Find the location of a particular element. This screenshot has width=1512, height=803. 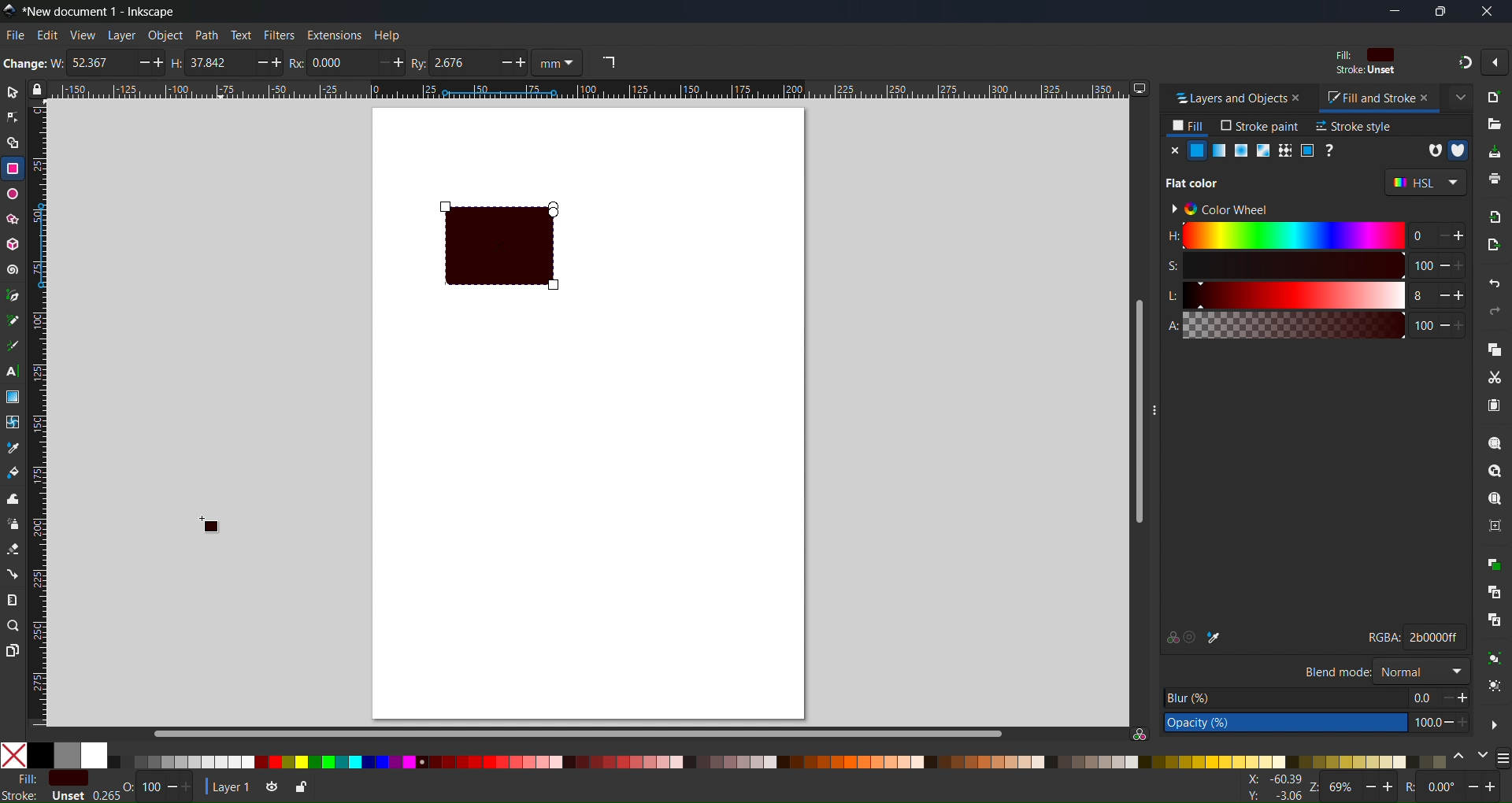

Print is located at coordinates (1494, 179).